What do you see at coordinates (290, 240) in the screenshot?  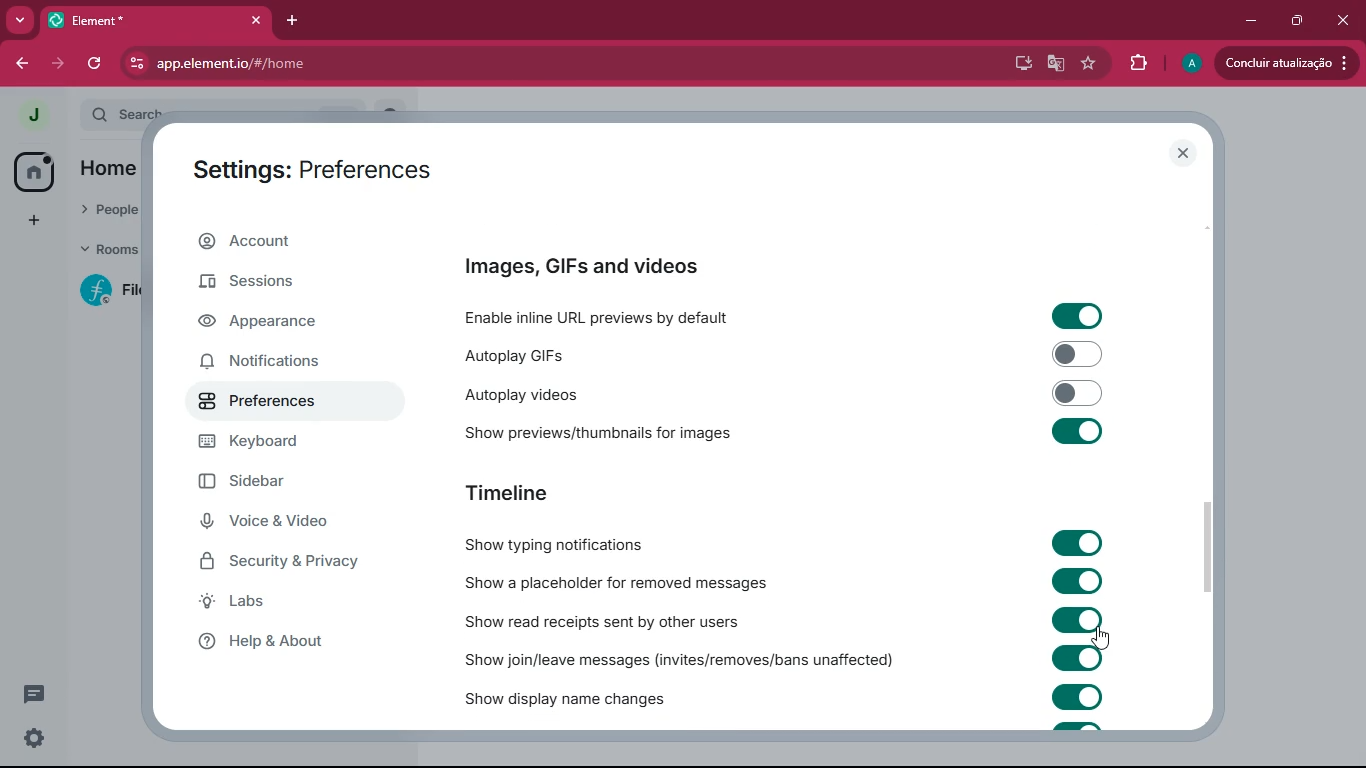 I see `account` at bounding box center [290, 240].